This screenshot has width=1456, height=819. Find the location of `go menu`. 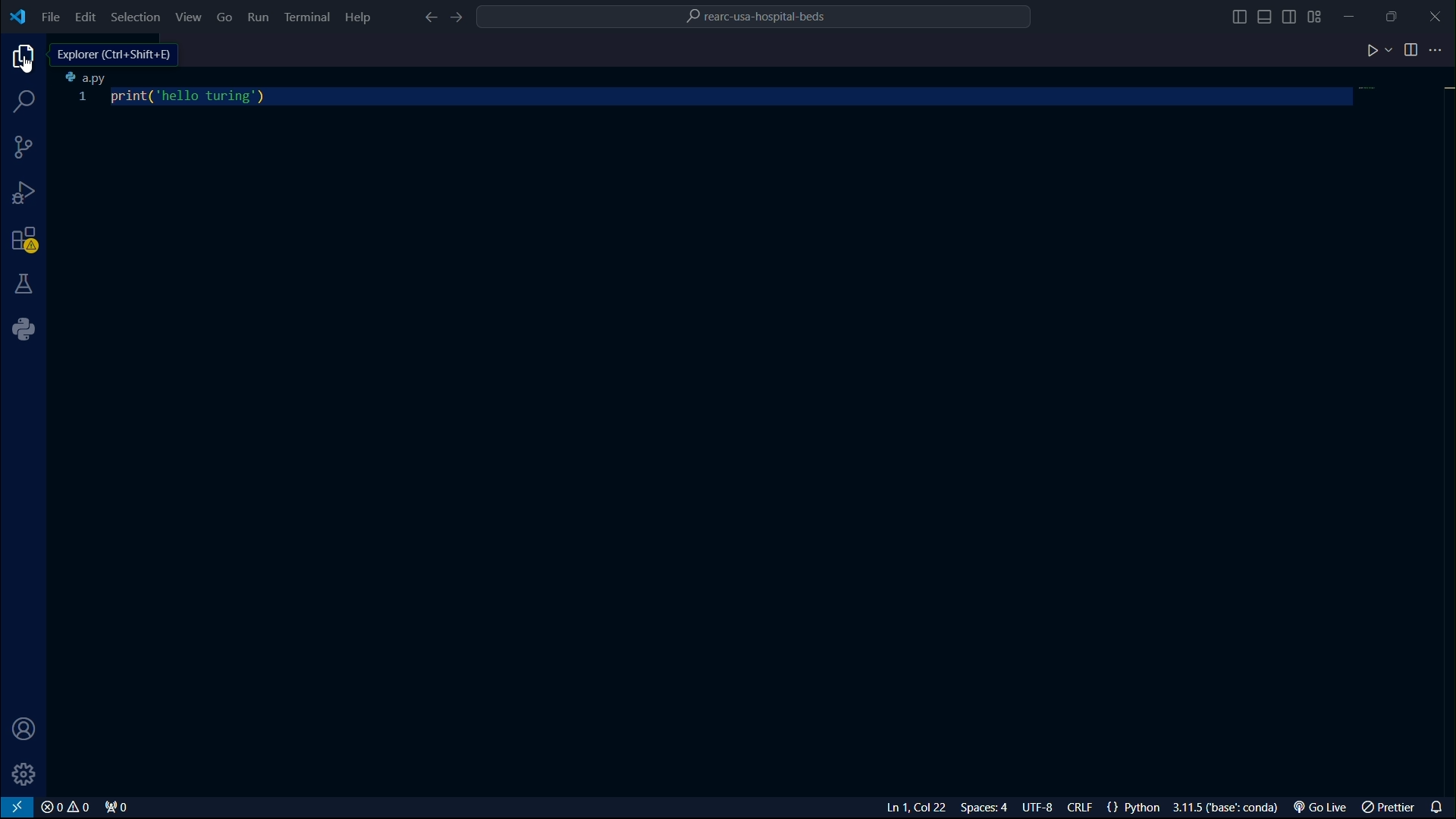

go menu is located at coordinates (226, 17).